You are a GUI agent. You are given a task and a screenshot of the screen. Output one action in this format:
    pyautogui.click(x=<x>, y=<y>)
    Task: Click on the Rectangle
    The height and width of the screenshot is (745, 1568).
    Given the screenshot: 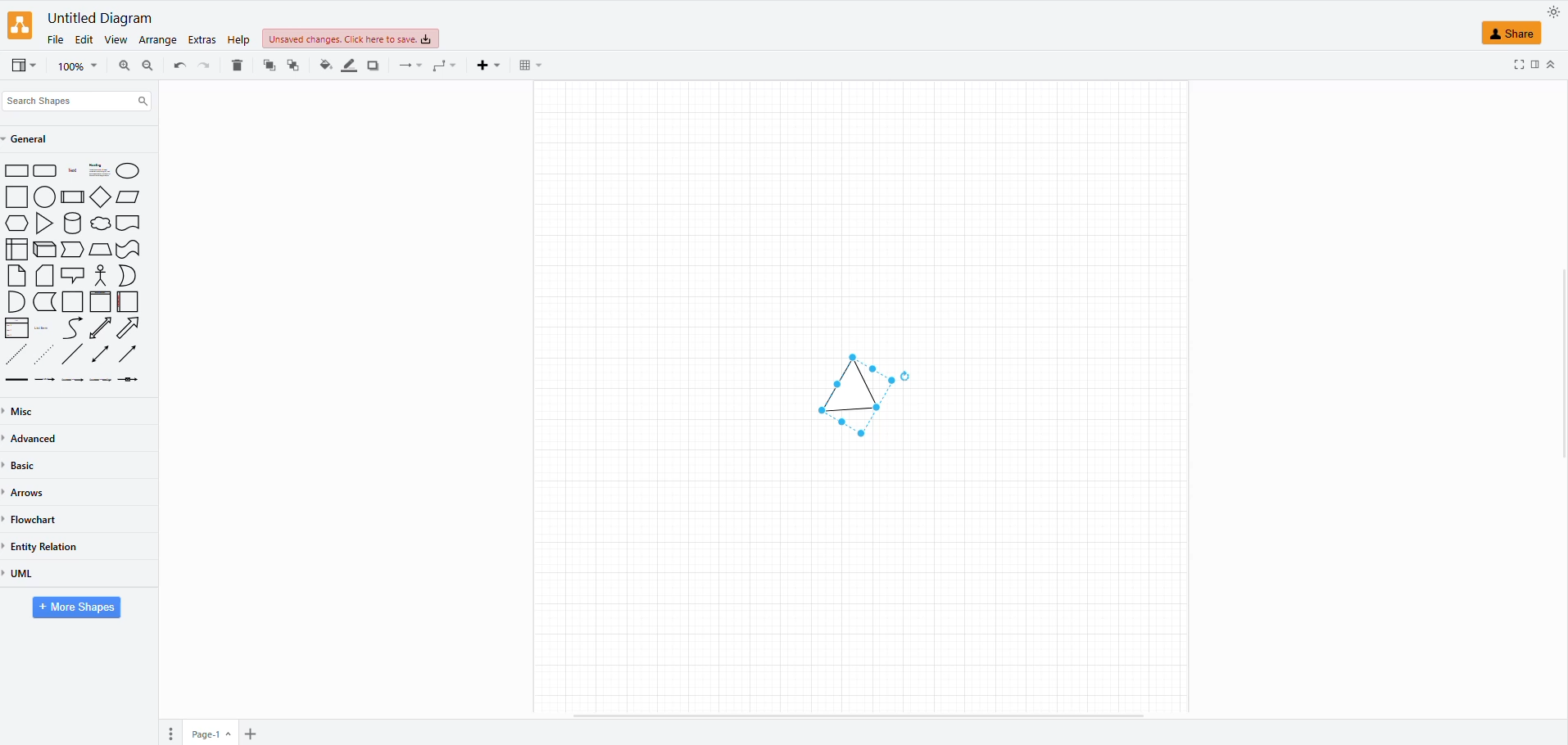 What is the action you would take?
    pyautogui.click(x=16, y=196)
    